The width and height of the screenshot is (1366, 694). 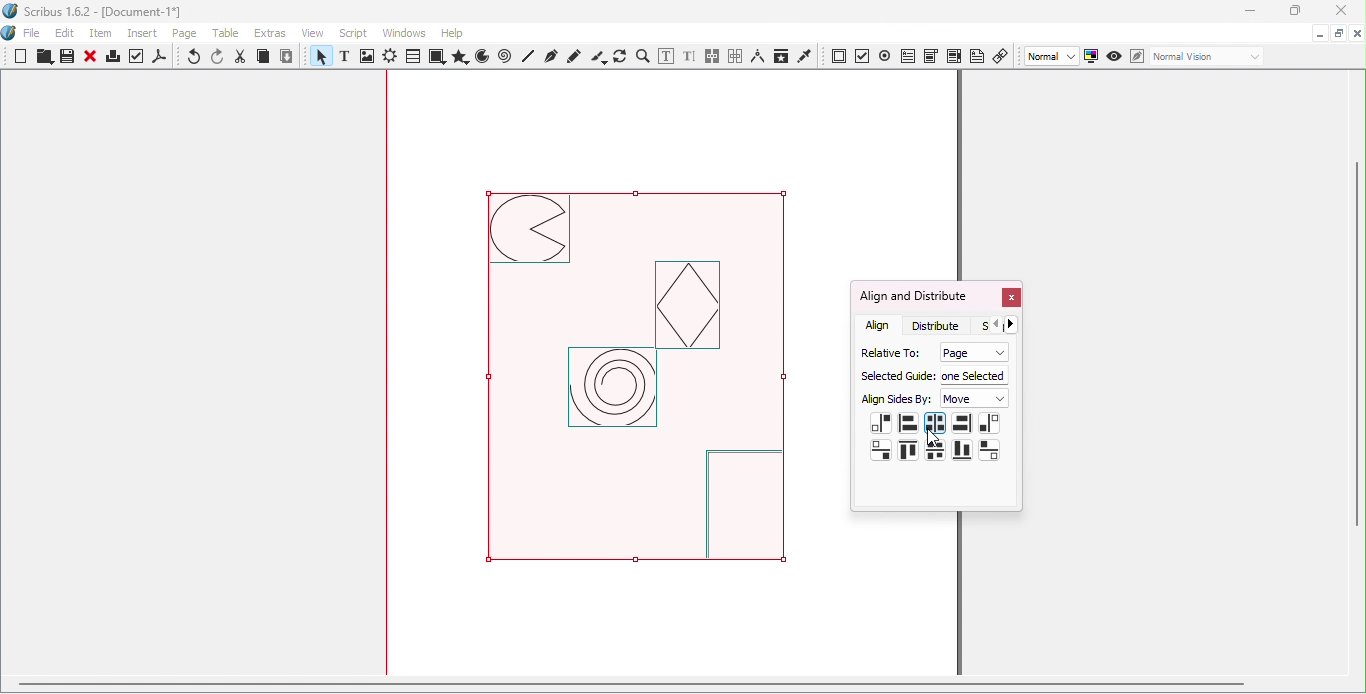 I want to click on Selected image, so click(x=652, y=385).